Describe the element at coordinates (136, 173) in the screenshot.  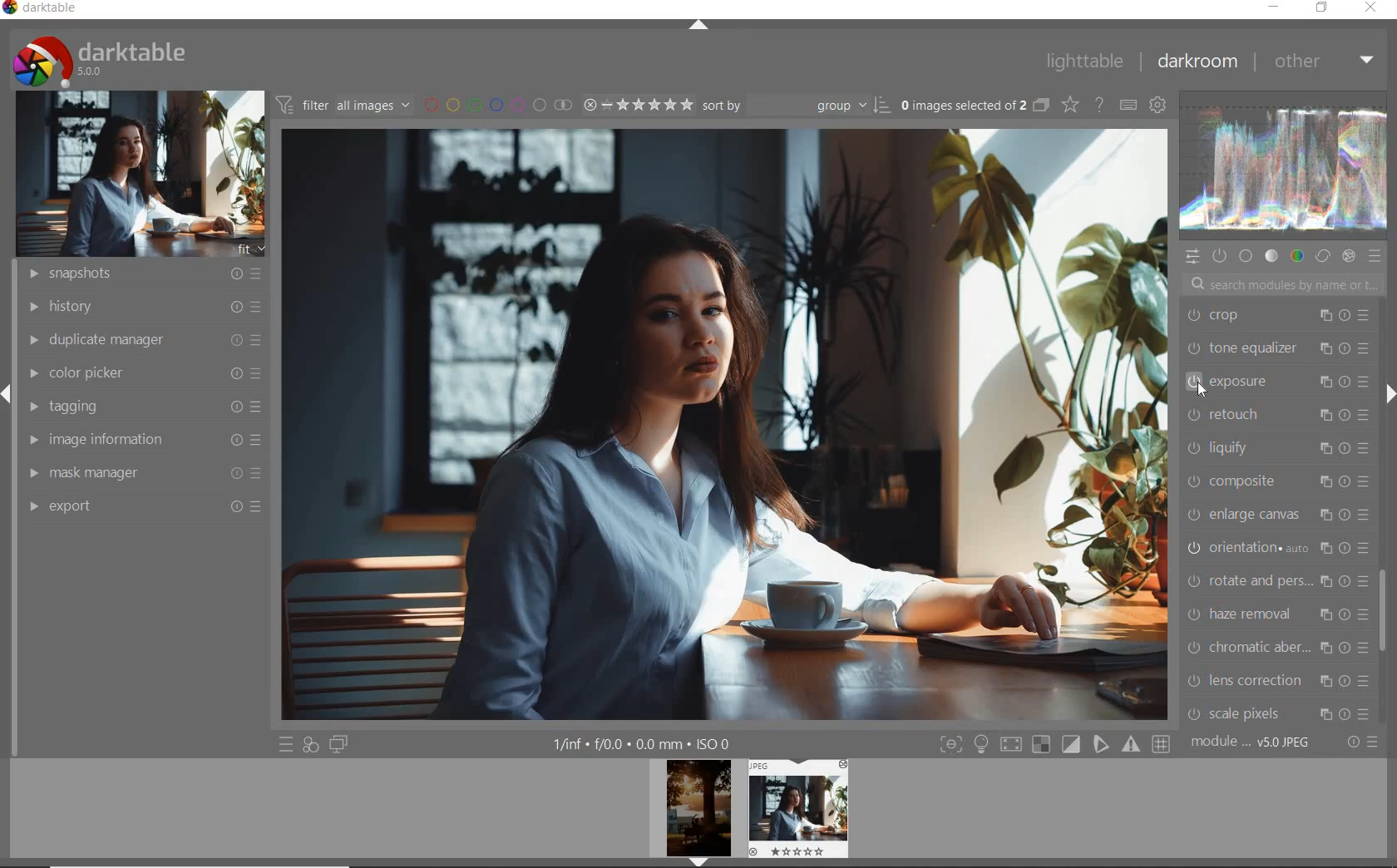
I see `IMAGE` at that location.